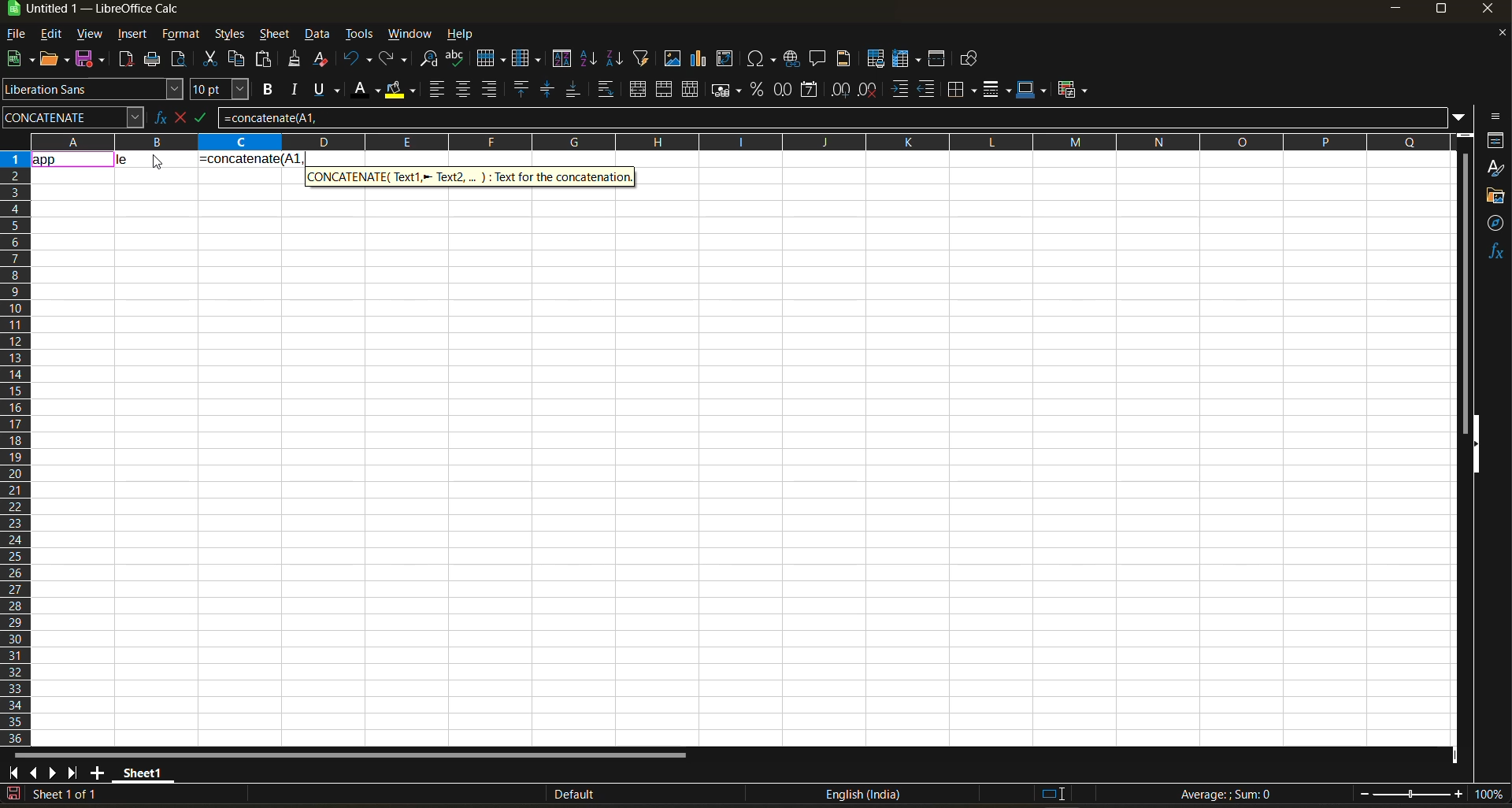 The width and height of the screenshot is (1512, 808). What do you see at coordinates (295, 90) in the screenshot?
I see `italic` at bounding box center [295, 90].